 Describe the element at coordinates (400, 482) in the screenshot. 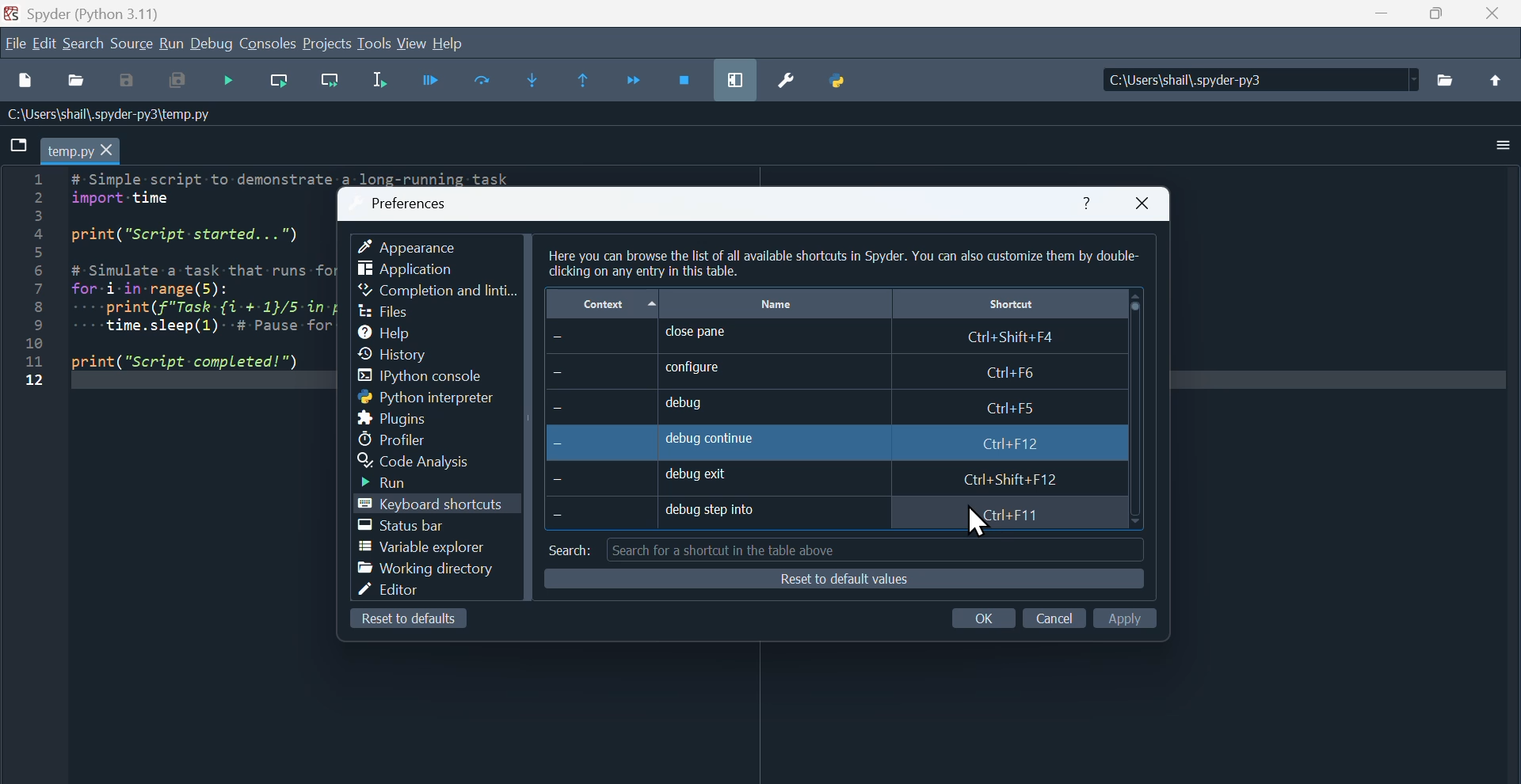

I see `Run` at that location.